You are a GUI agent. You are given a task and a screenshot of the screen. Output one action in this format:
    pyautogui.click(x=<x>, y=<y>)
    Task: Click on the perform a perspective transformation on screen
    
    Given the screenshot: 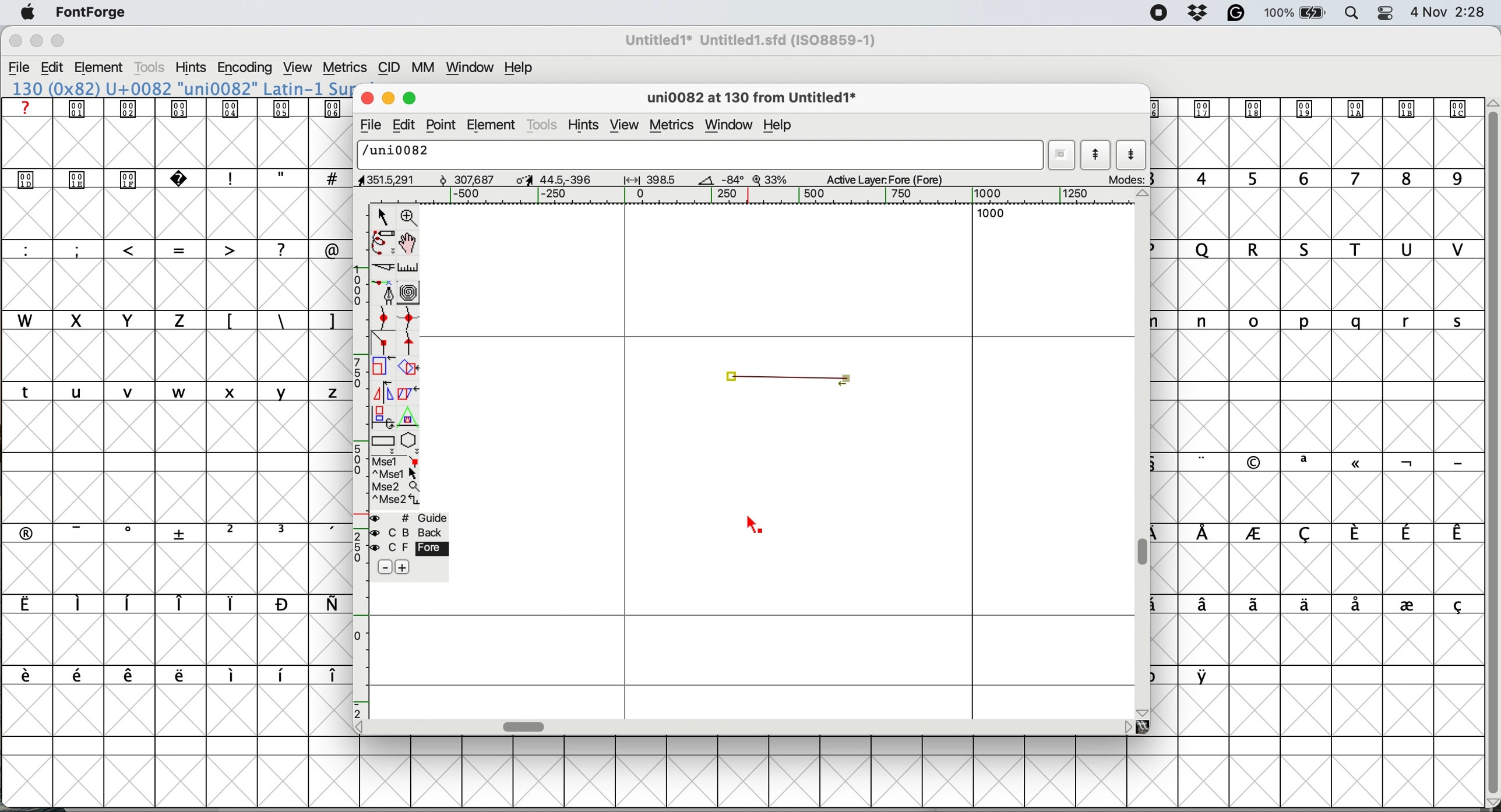 What is the action you would take?
    pyautogui.click(x=410, y=417)
    